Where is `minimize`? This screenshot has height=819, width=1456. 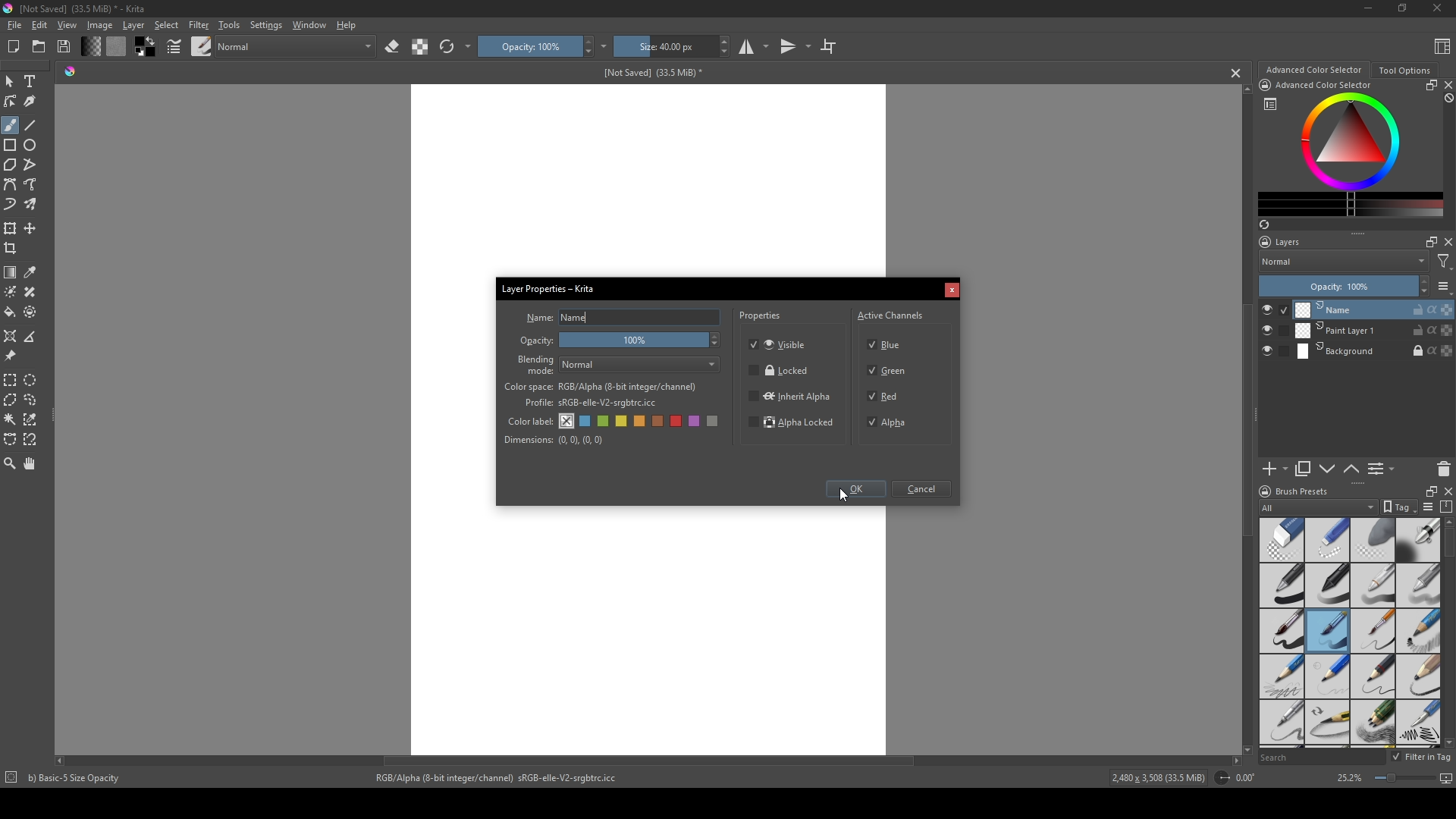
minimize is located at coordinates (1369, 8).